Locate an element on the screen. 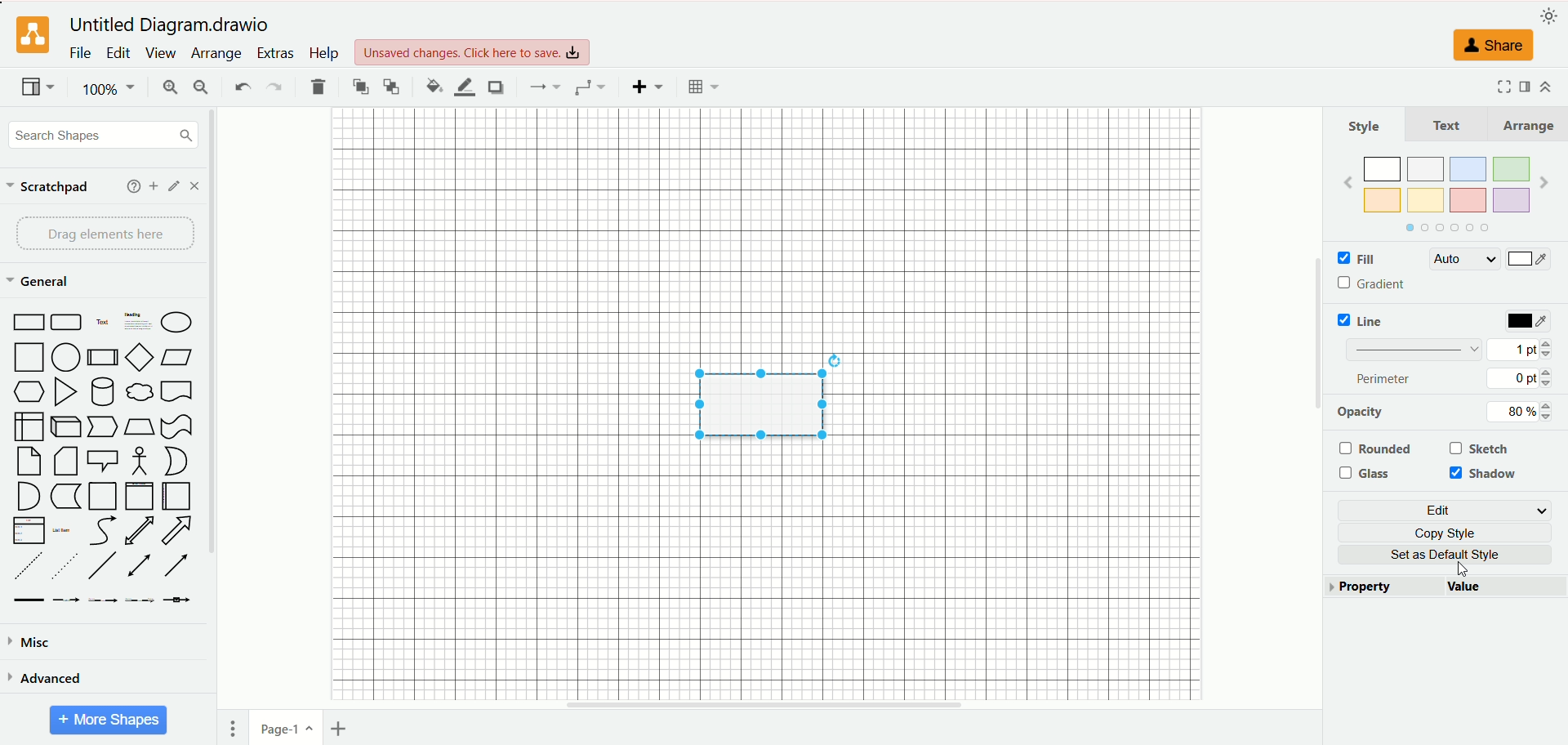  cursor at set as default style is located at coordinates (1468, 569).